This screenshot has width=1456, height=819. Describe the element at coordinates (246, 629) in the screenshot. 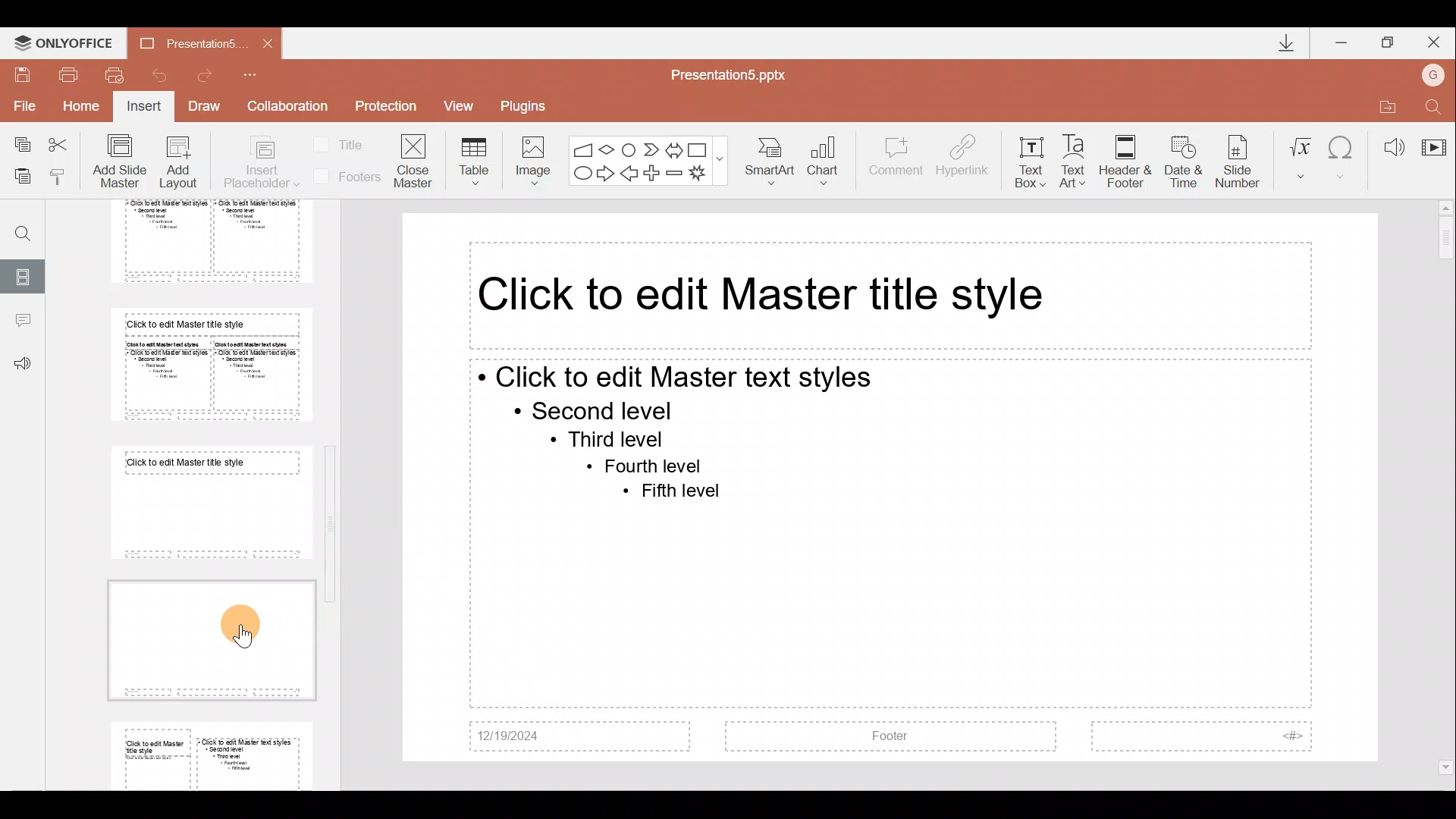

I see `Cursor` at that location.